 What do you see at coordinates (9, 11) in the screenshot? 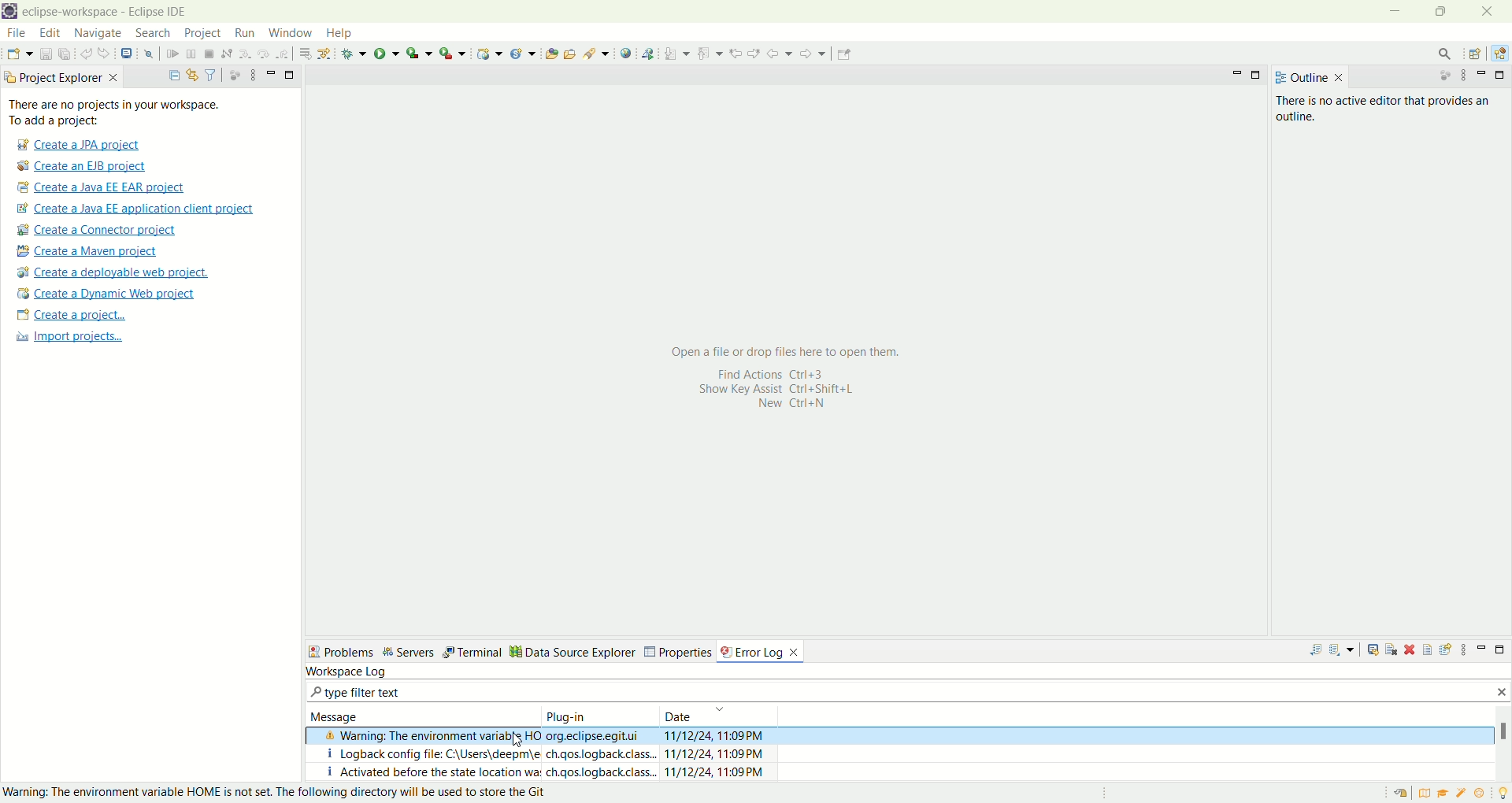
I see `logo` at bounding box center [9, 11].